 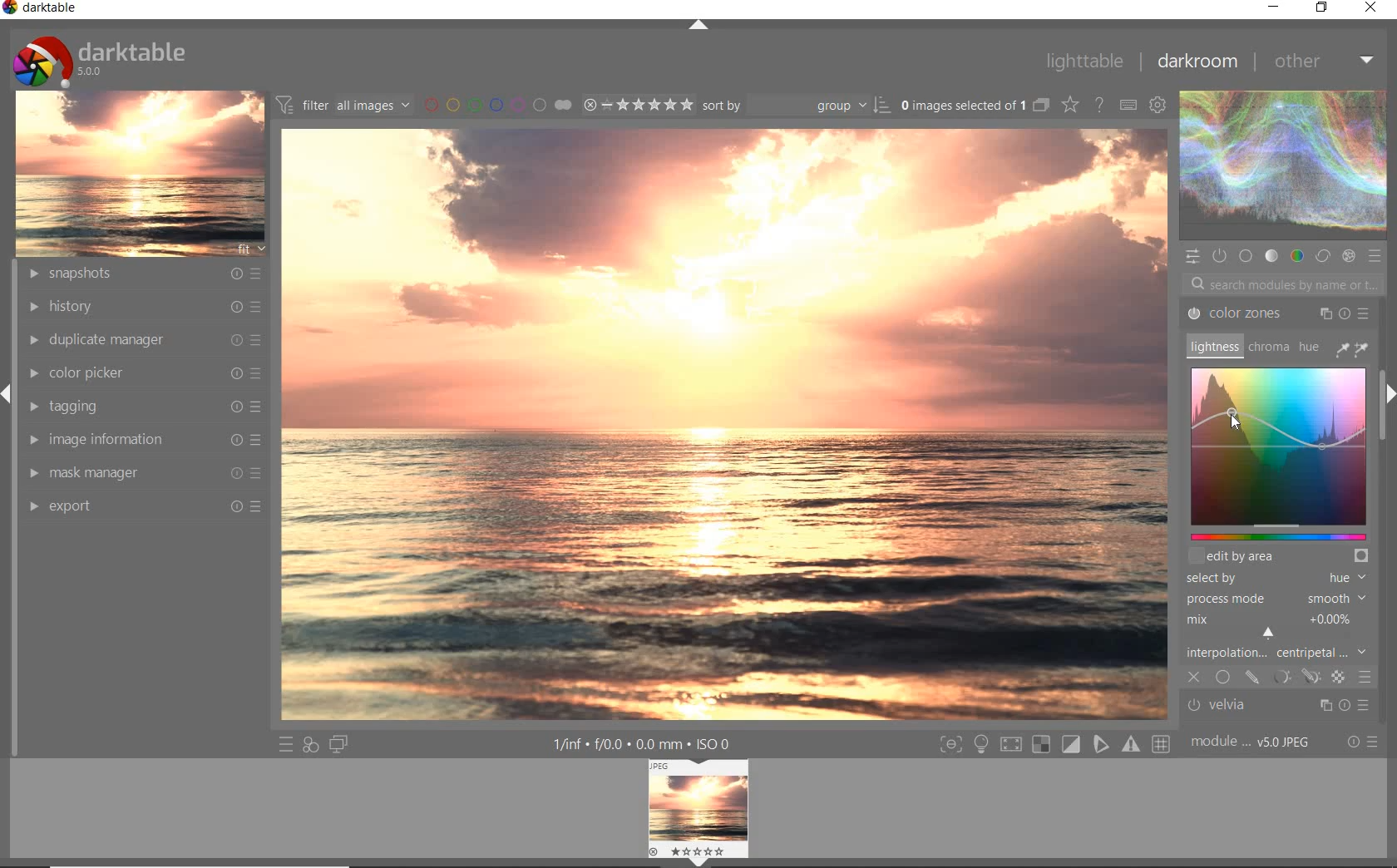 What do you see at coordinates (1201, 62) in the screenshot?
I see `darkroom` at bounding box center [1201, 62].